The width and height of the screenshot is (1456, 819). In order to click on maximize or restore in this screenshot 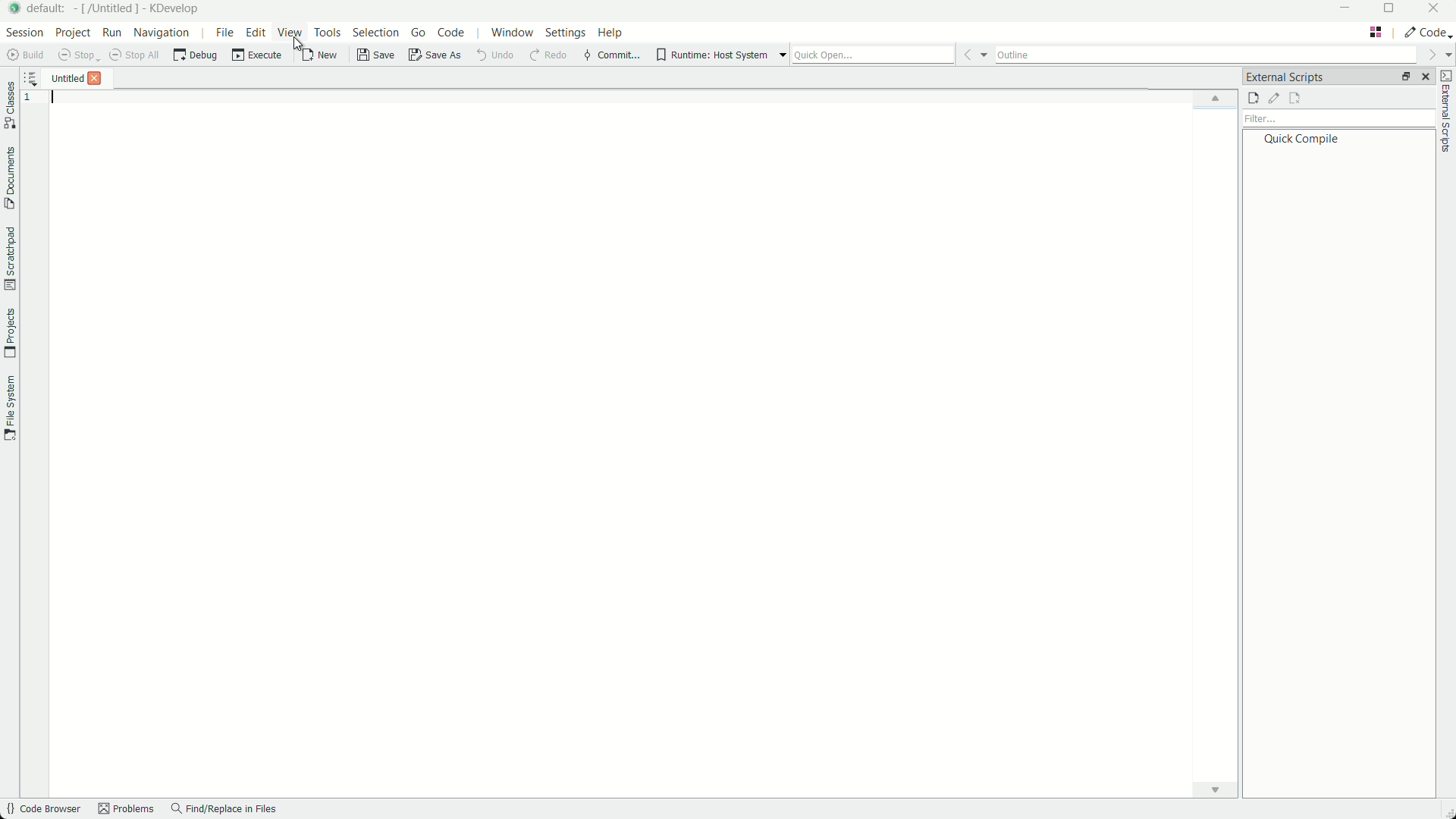, I will do `click(1390, 11)`.